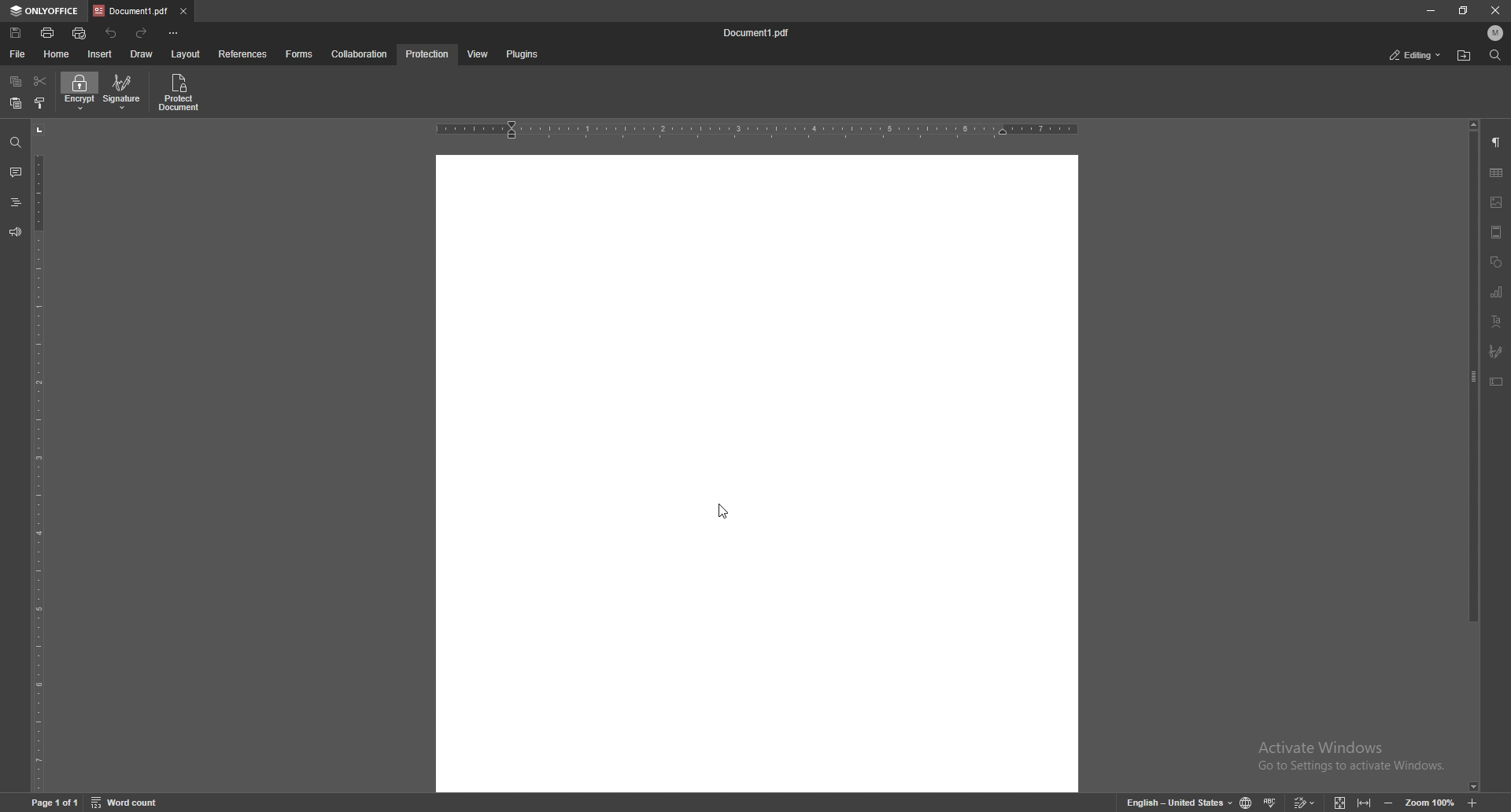 The width and height of the screenshot is (1511, 812). I want to click on forms, so click(300, 54).